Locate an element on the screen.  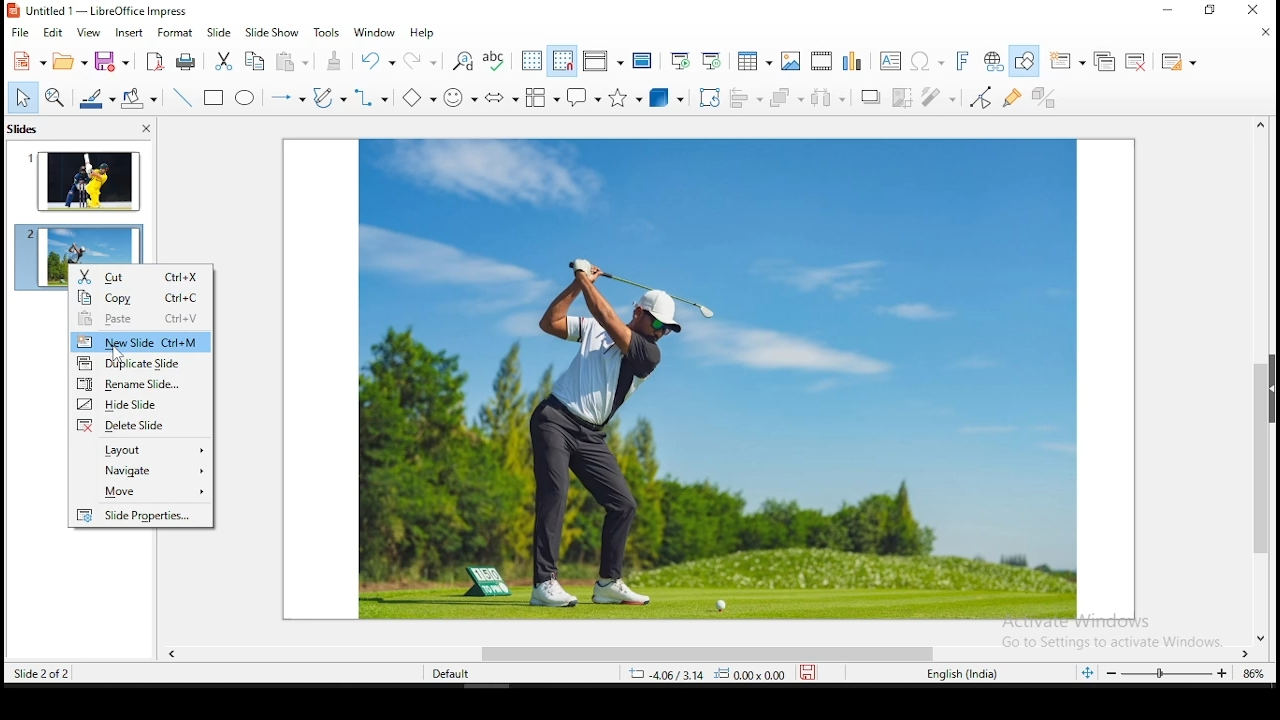
callout shape is located at coordinates (583, 97).